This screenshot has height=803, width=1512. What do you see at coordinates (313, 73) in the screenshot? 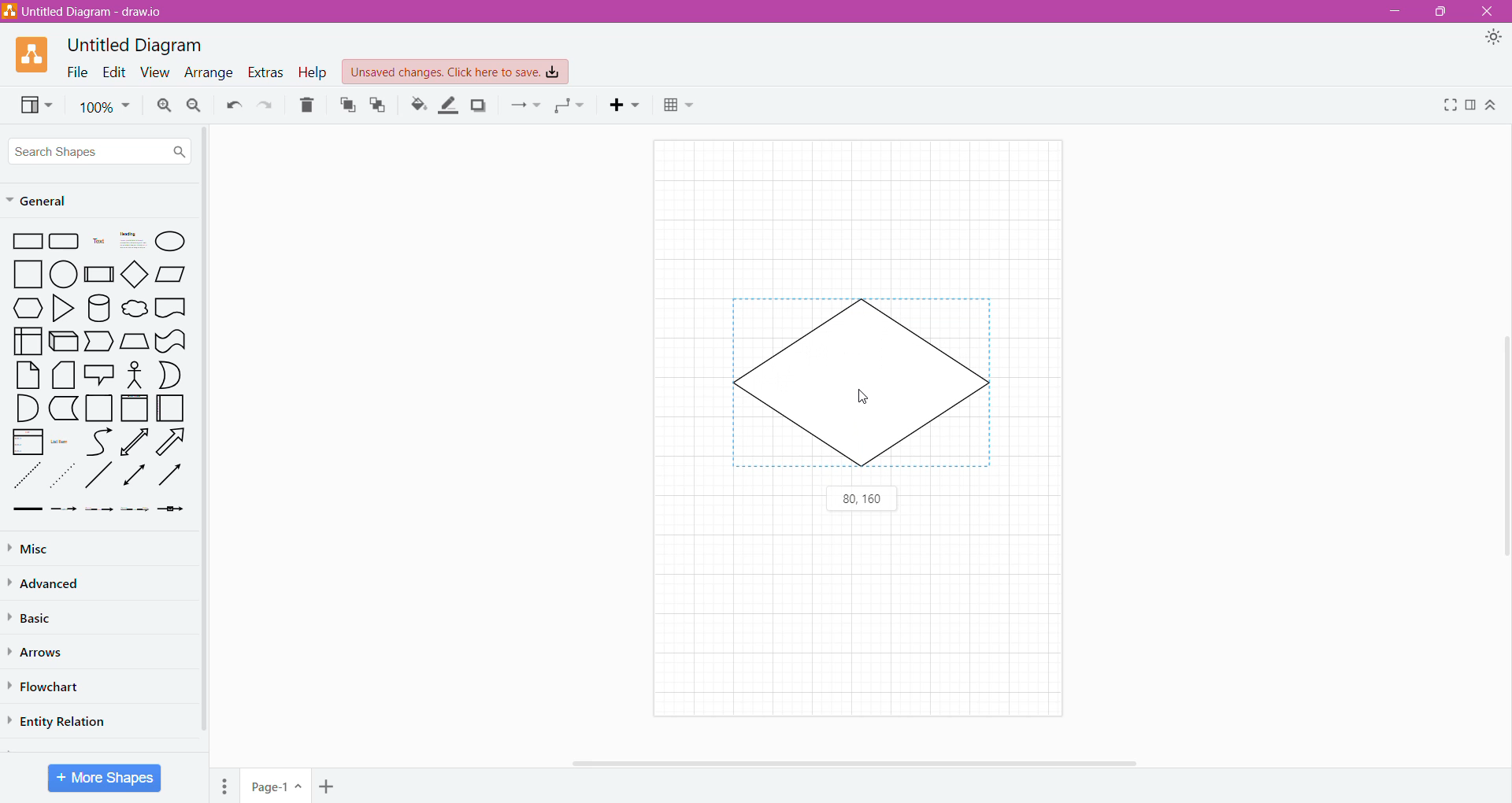
I see `Help` at bounding box center [313, 73].